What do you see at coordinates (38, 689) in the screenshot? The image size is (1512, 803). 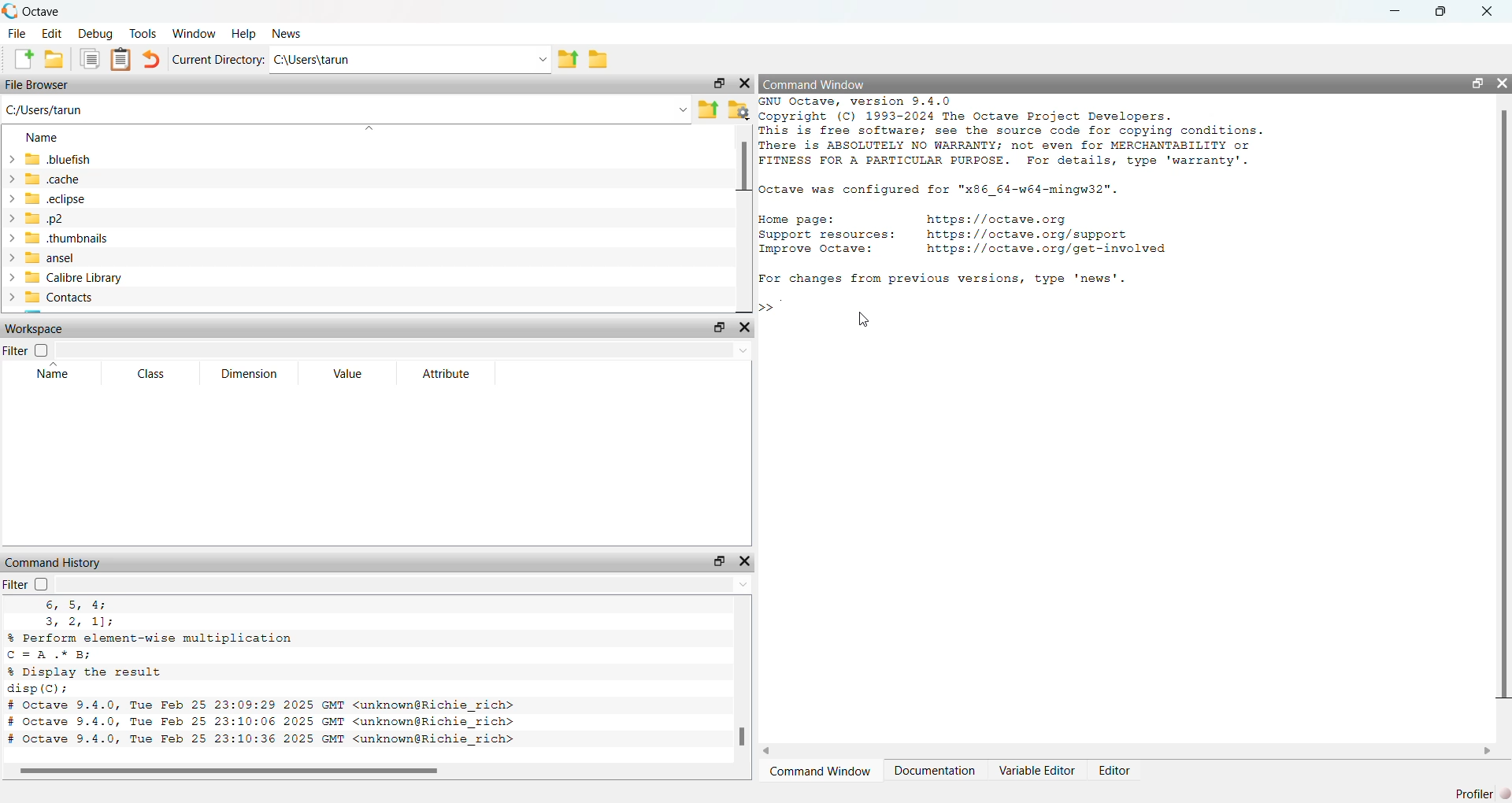 I see `disp(C):` at bounding box center [38, 689].